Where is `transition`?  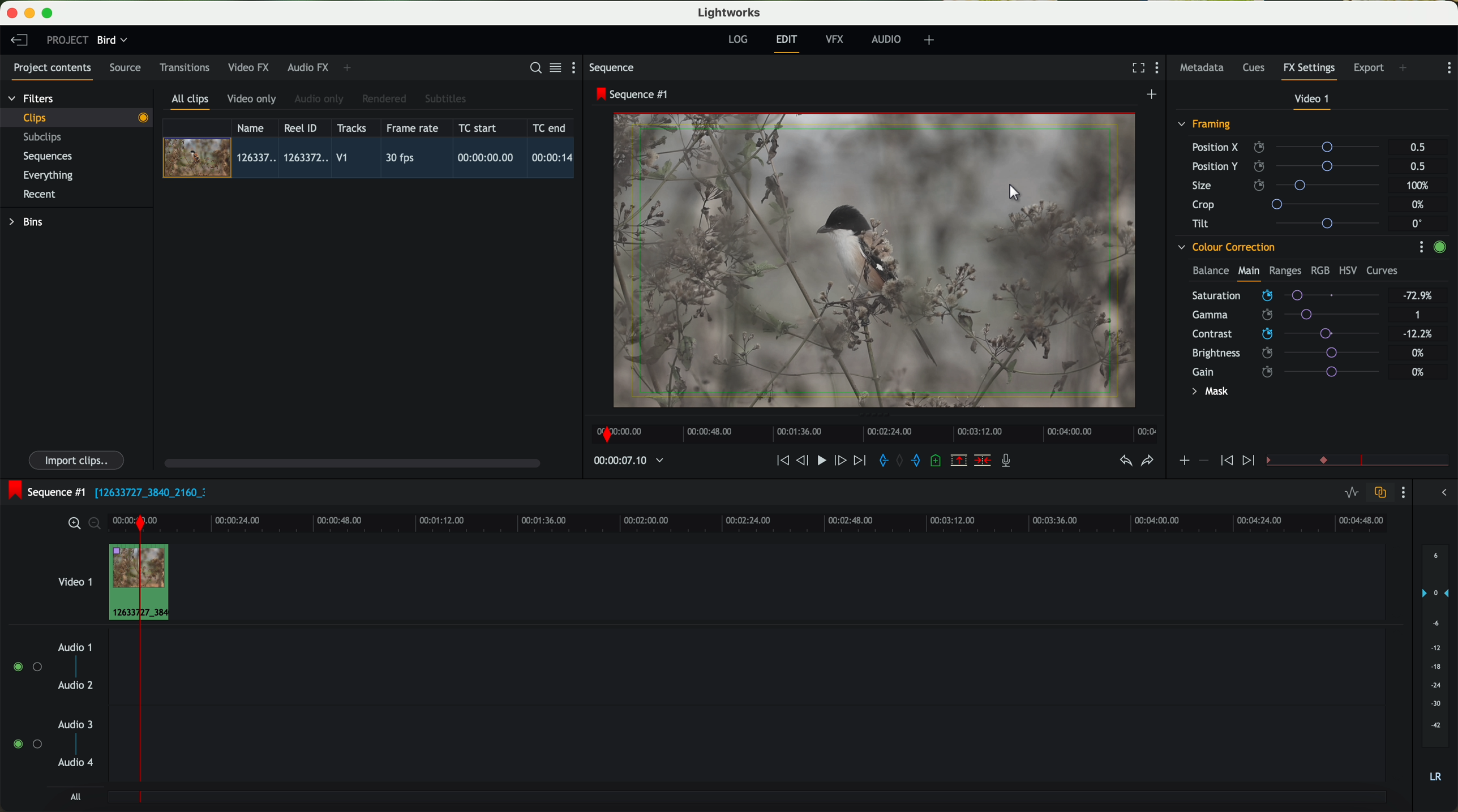
transition is located at coordinates (1374, 461).